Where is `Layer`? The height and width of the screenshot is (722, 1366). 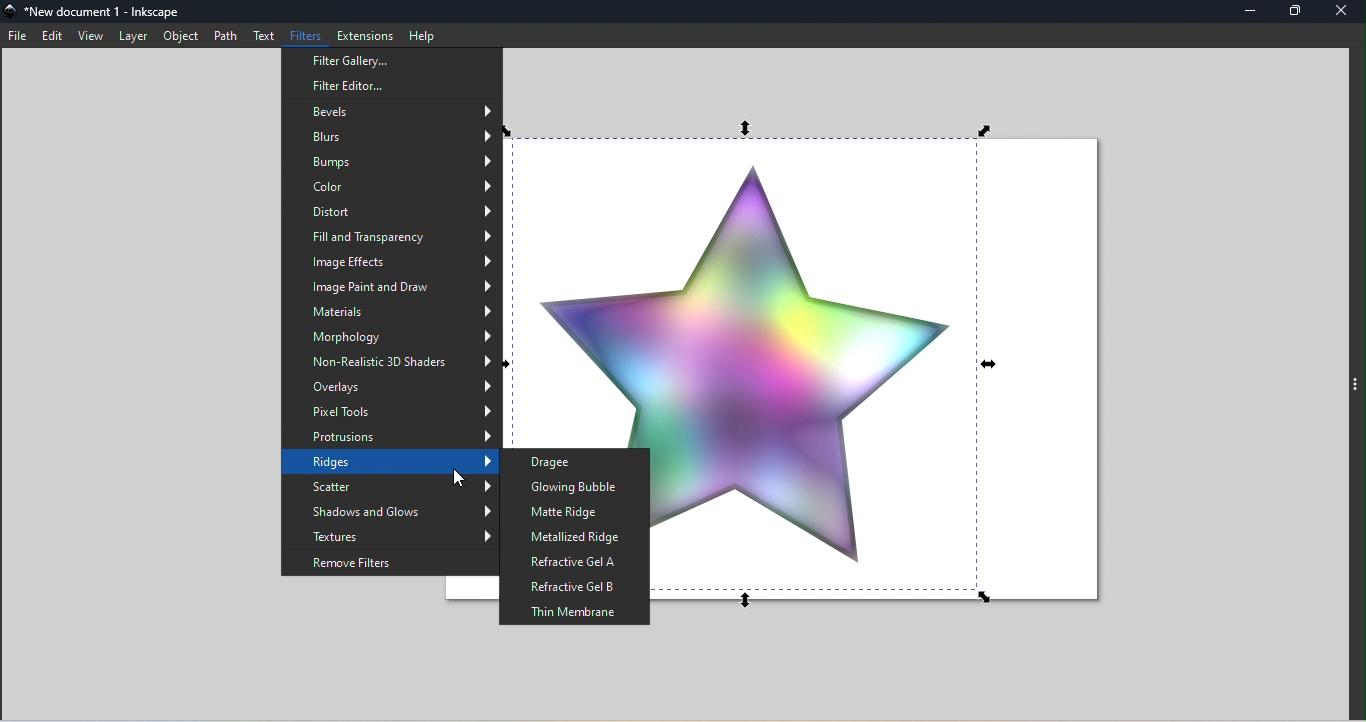 Layer is located at coordinates (132, 37).